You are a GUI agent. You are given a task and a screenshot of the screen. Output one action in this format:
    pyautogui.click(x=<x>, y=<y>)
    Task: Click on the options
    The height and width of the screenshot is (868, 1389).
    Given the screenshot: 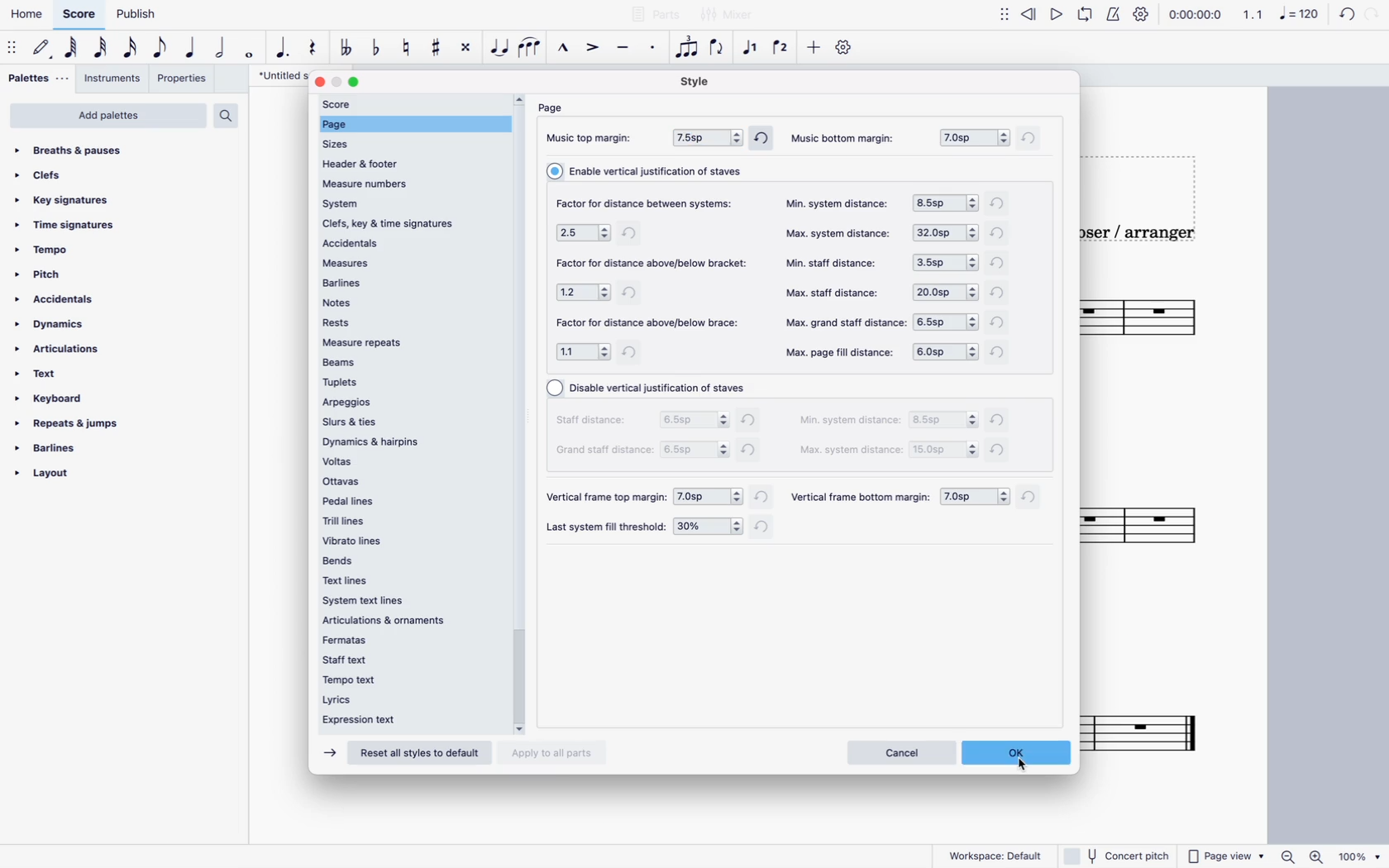 What is the action you would take?
    pyautogui.click(x=694, y=450)
    